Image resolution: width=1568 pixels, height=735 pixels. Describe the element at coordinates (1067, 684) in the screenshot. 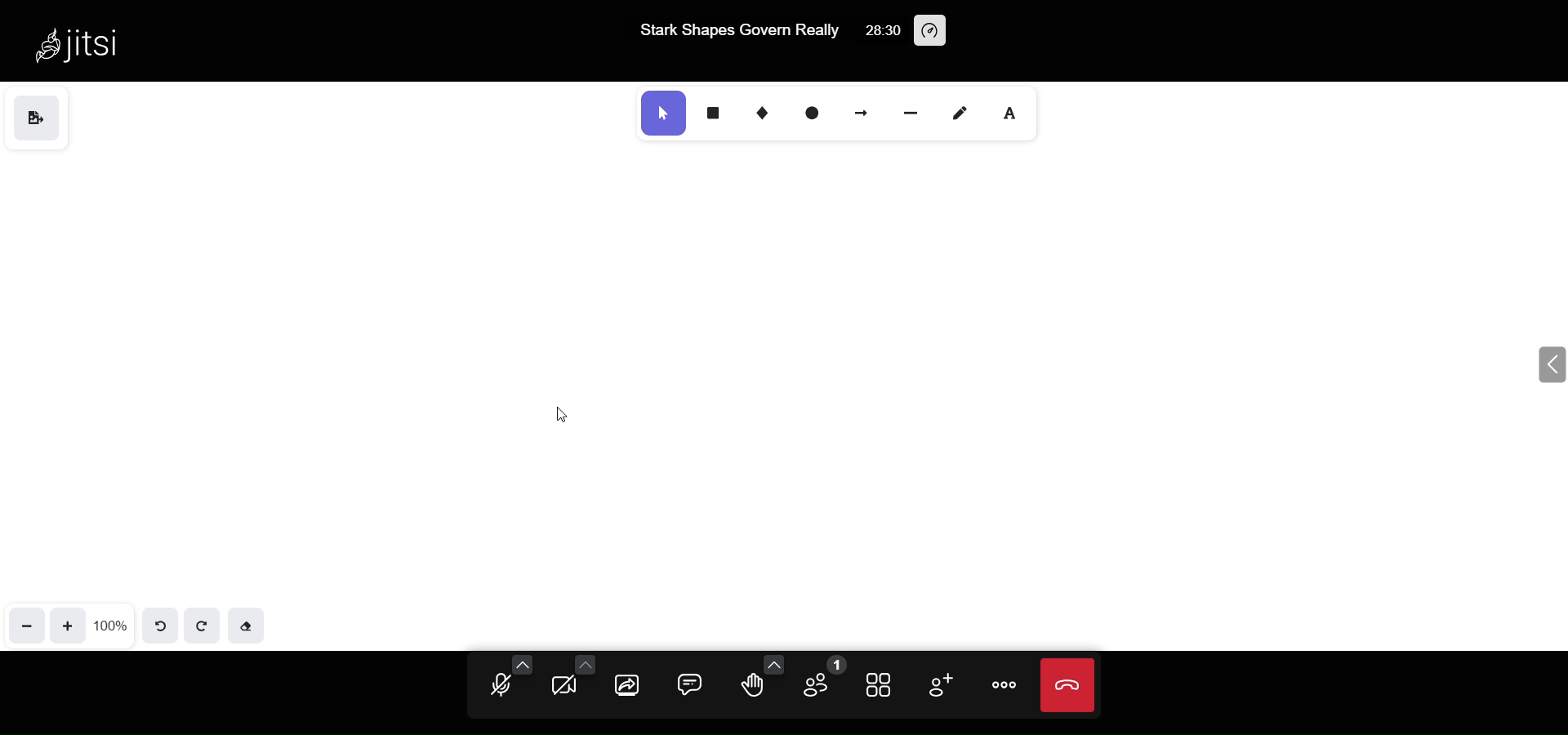

I see `leave meeting` at that location.